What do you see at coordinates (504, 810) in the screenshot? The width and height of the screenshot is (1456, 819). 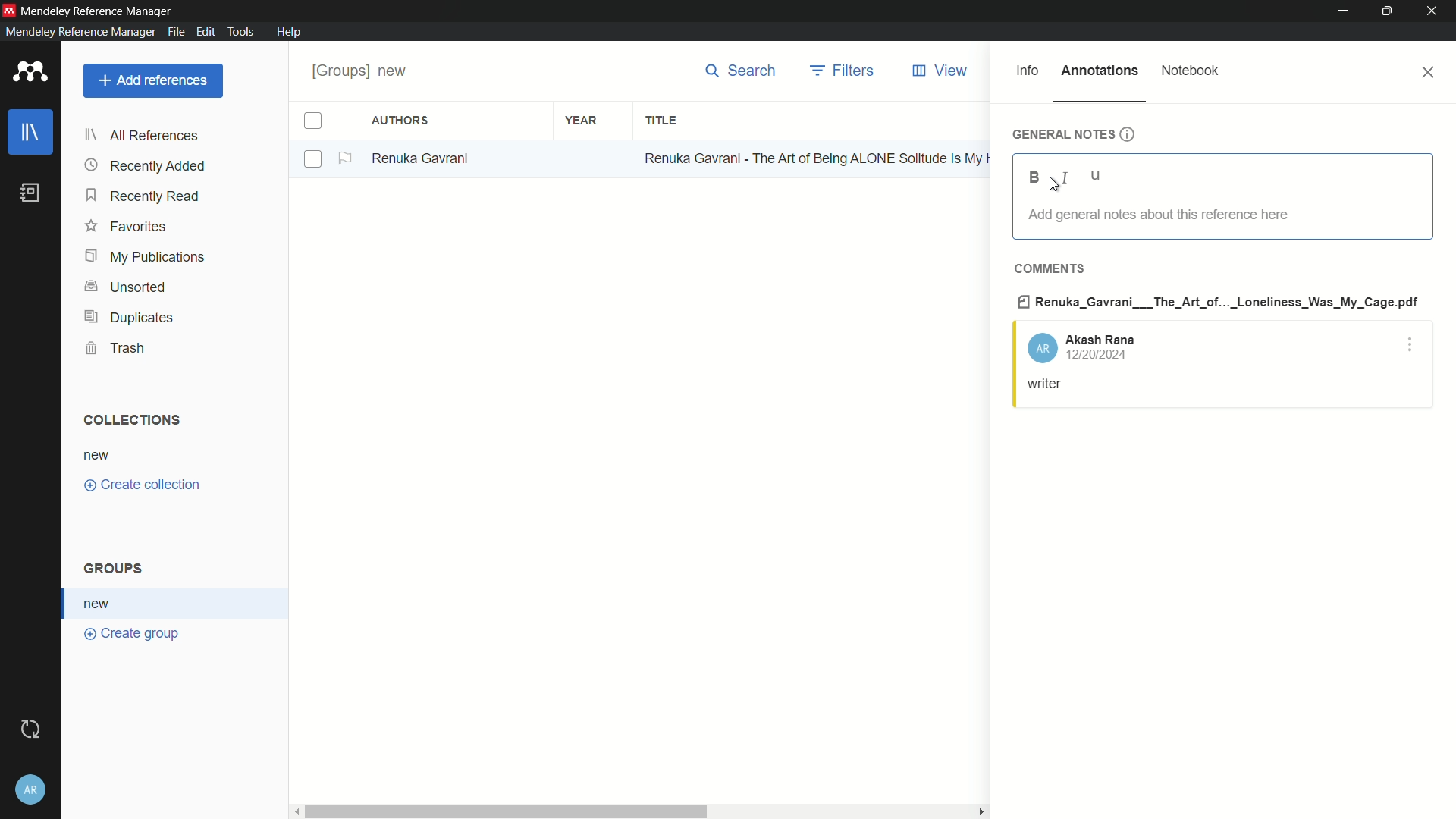 I see `scrollbar` at bounding box center [504, 810].